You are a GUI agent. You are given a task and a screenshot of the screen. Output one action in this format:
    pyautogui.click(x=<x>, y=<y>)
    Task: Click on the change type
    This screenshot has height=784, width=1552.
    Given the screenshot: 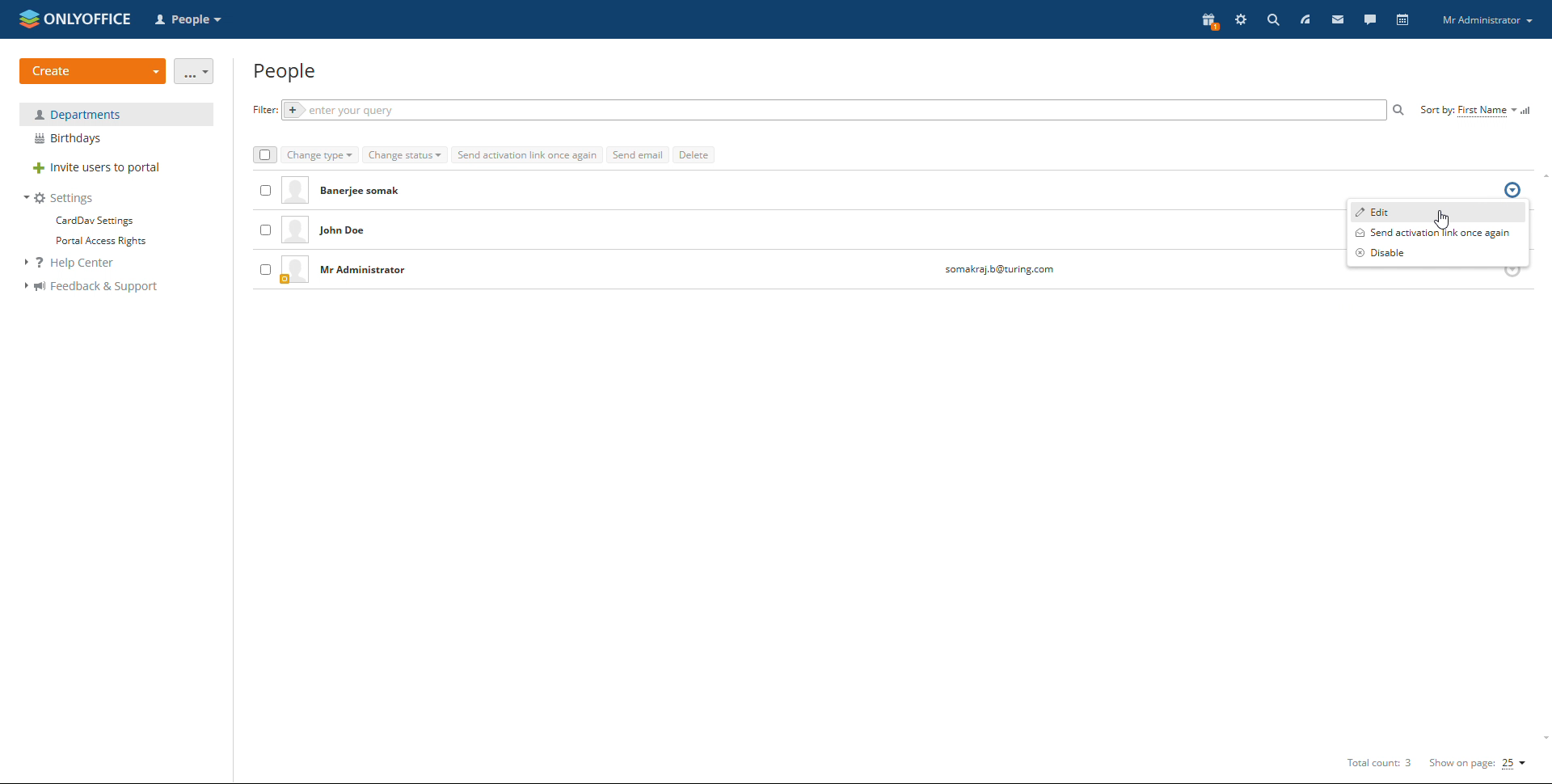 What is the action you would take?
    pyautogui.click(x=320, y=156)
    